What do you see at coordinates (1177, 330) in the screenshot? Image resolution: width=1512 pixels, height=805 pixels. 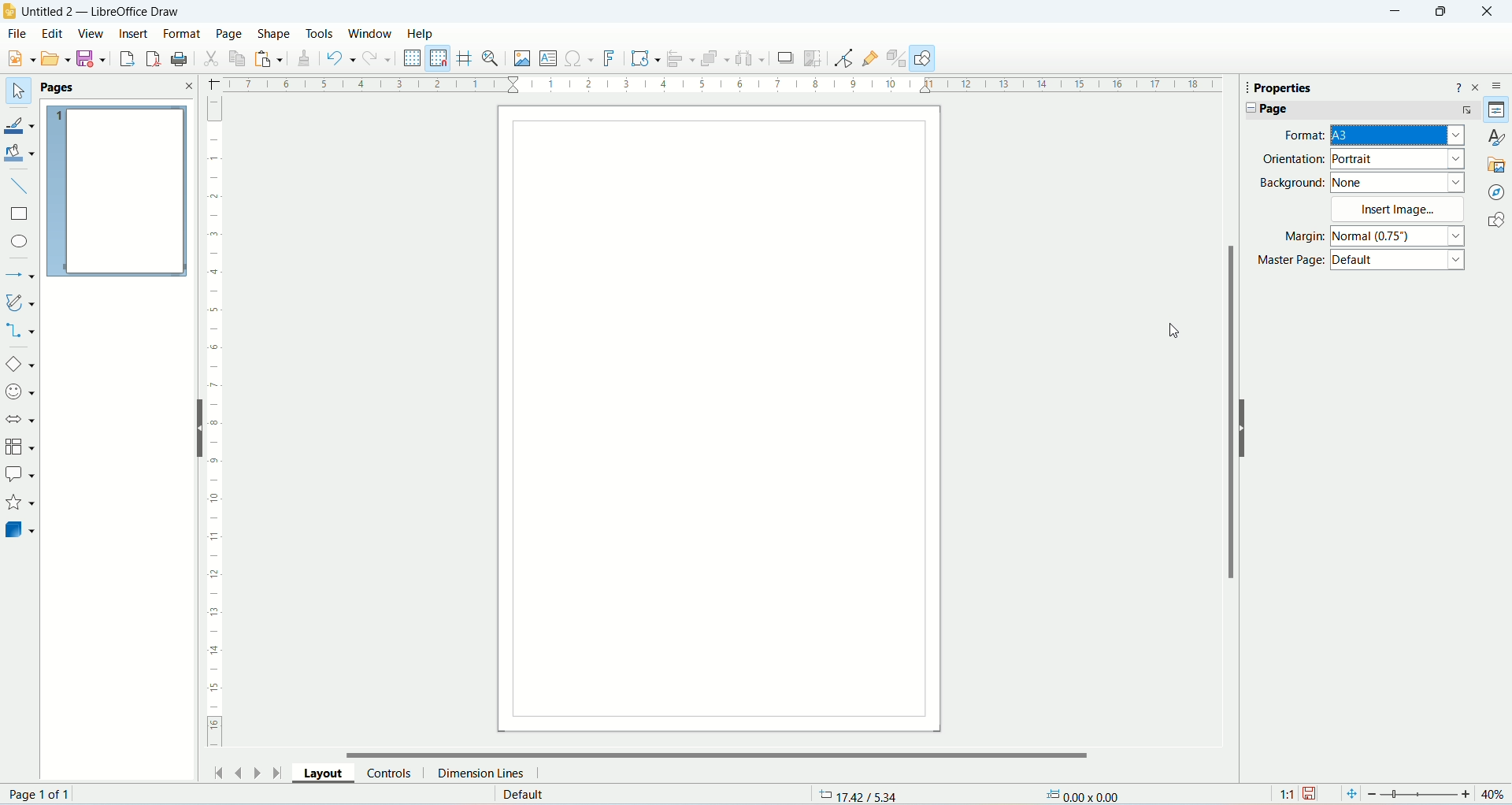 I see `Cursor` at bounding box center [1177, 330].